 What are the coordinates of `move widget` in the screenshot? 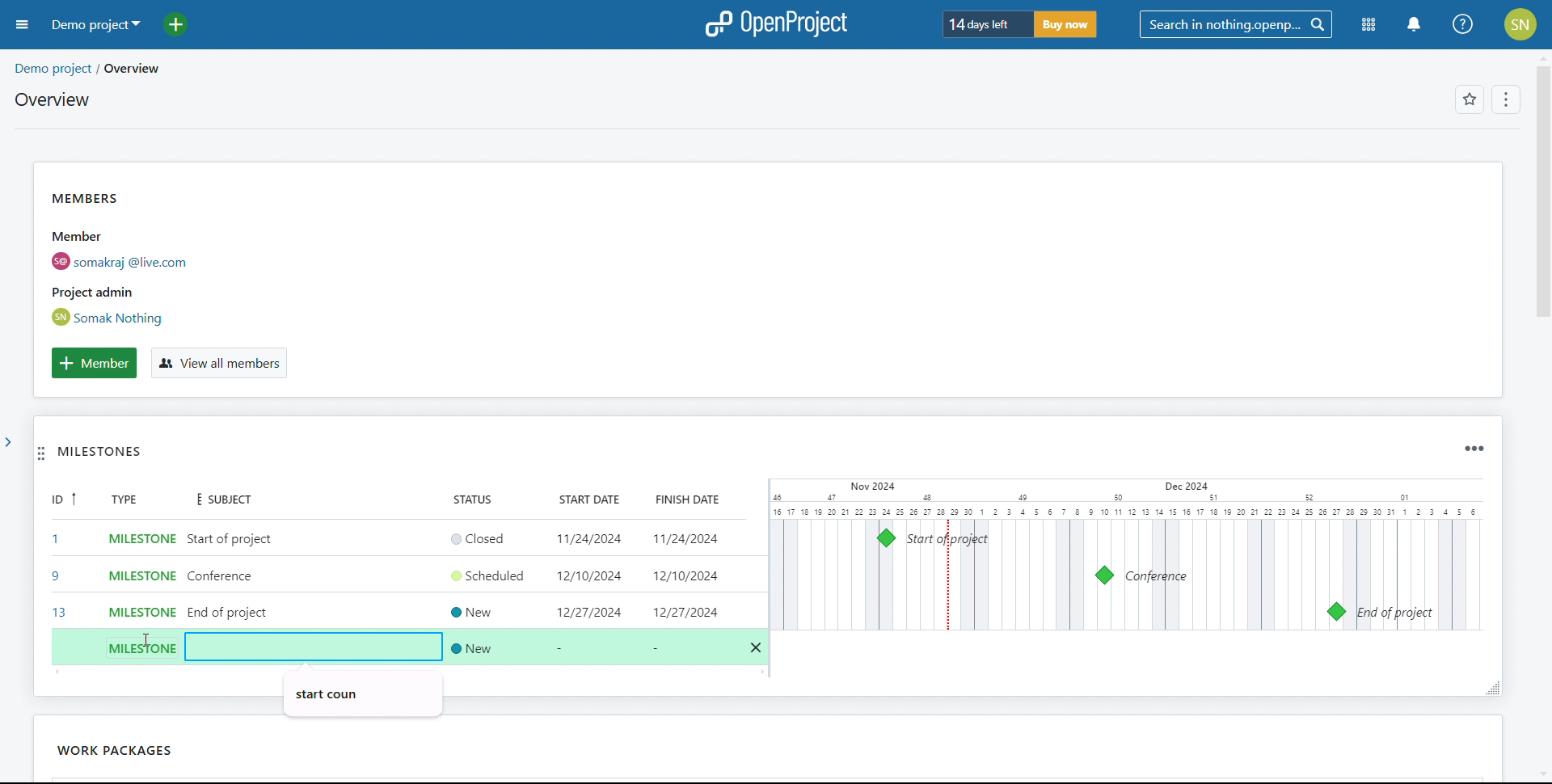 It's located at (41, 455).